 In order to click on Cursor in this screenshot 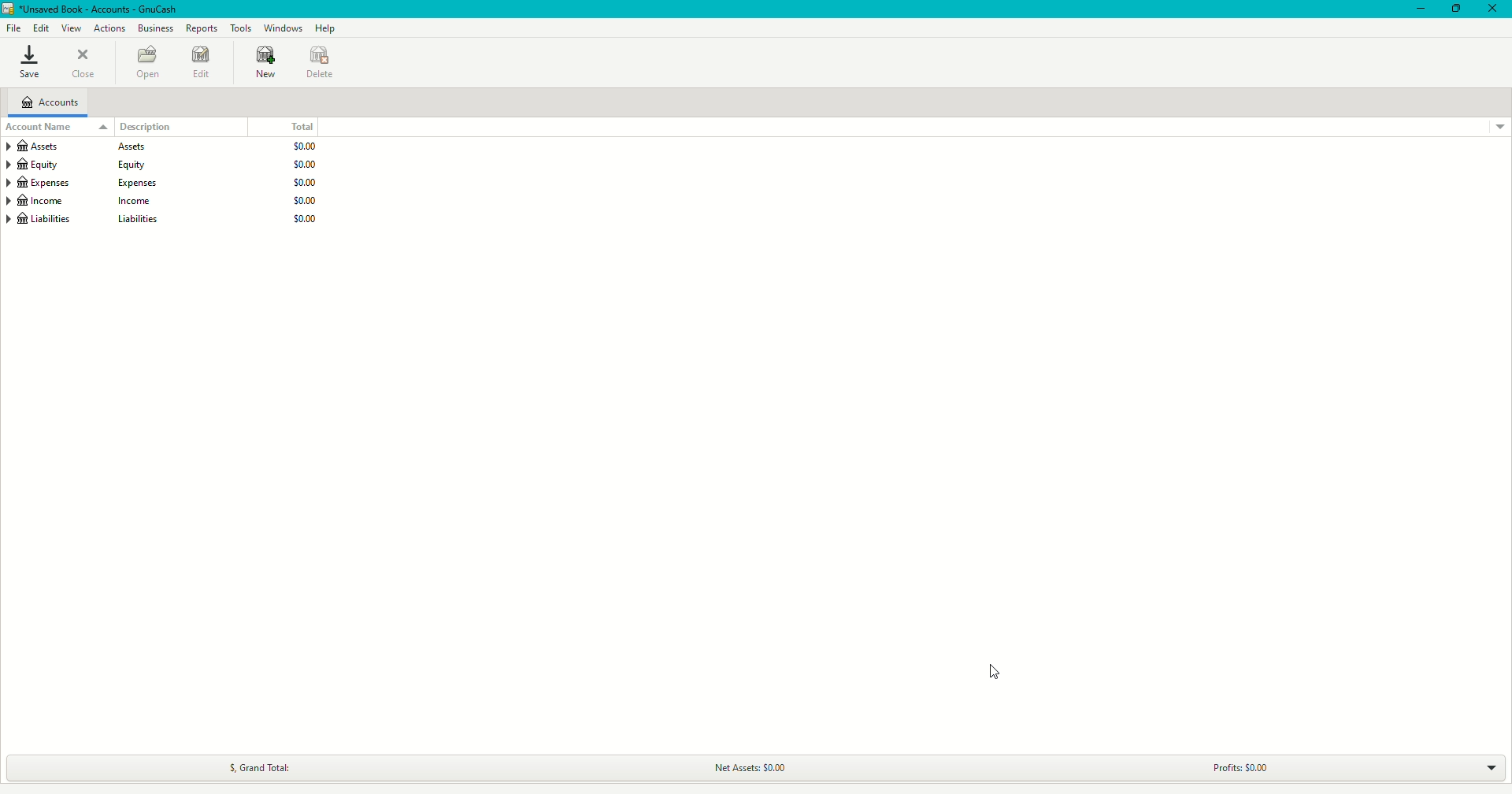, I will do `click(992, 668)`.